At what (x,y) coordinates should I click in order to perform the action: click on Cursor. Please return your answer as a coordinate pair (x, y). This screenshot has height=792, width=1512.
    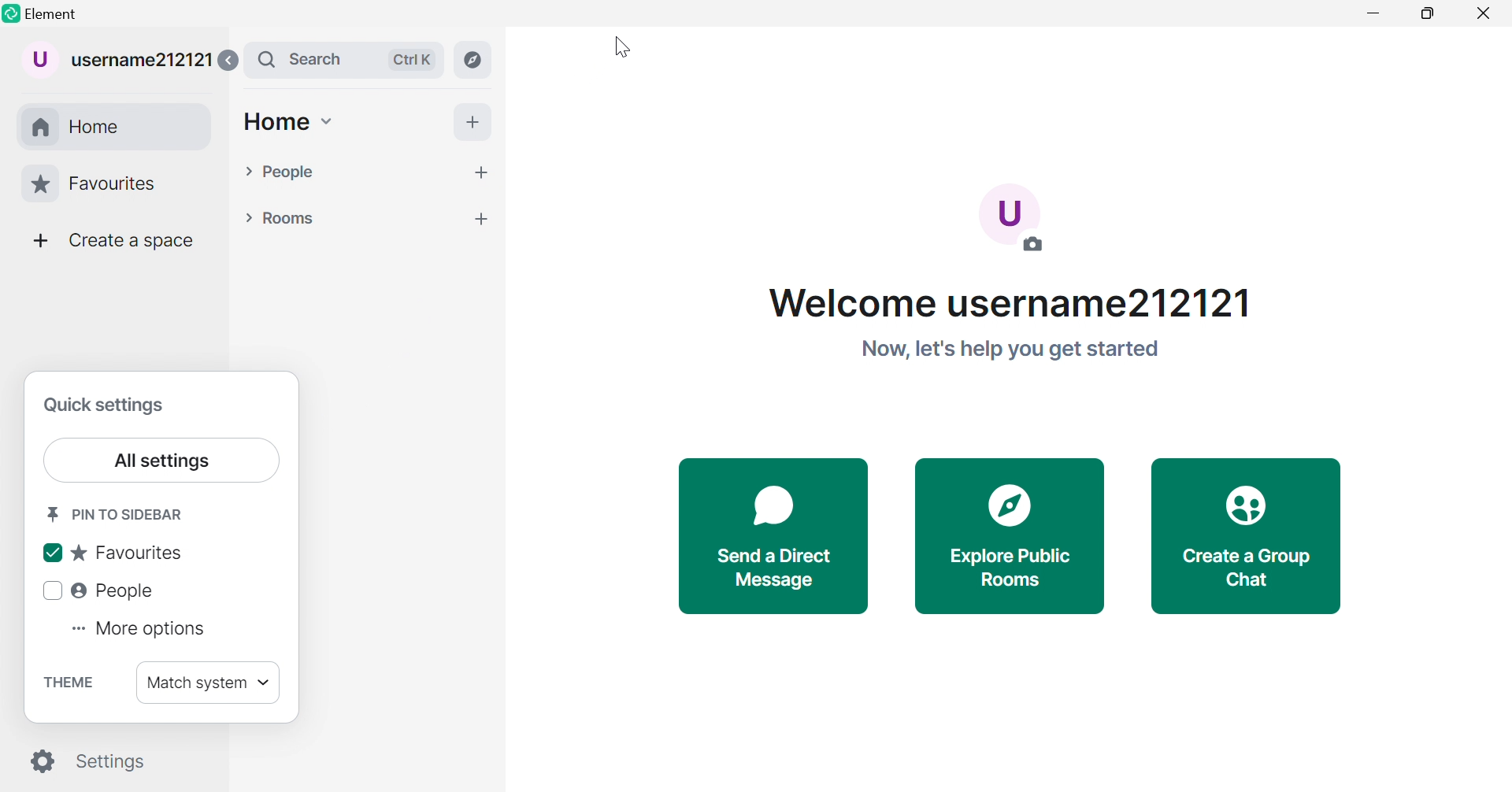
    Looking at the image, I should click on (622, 46).